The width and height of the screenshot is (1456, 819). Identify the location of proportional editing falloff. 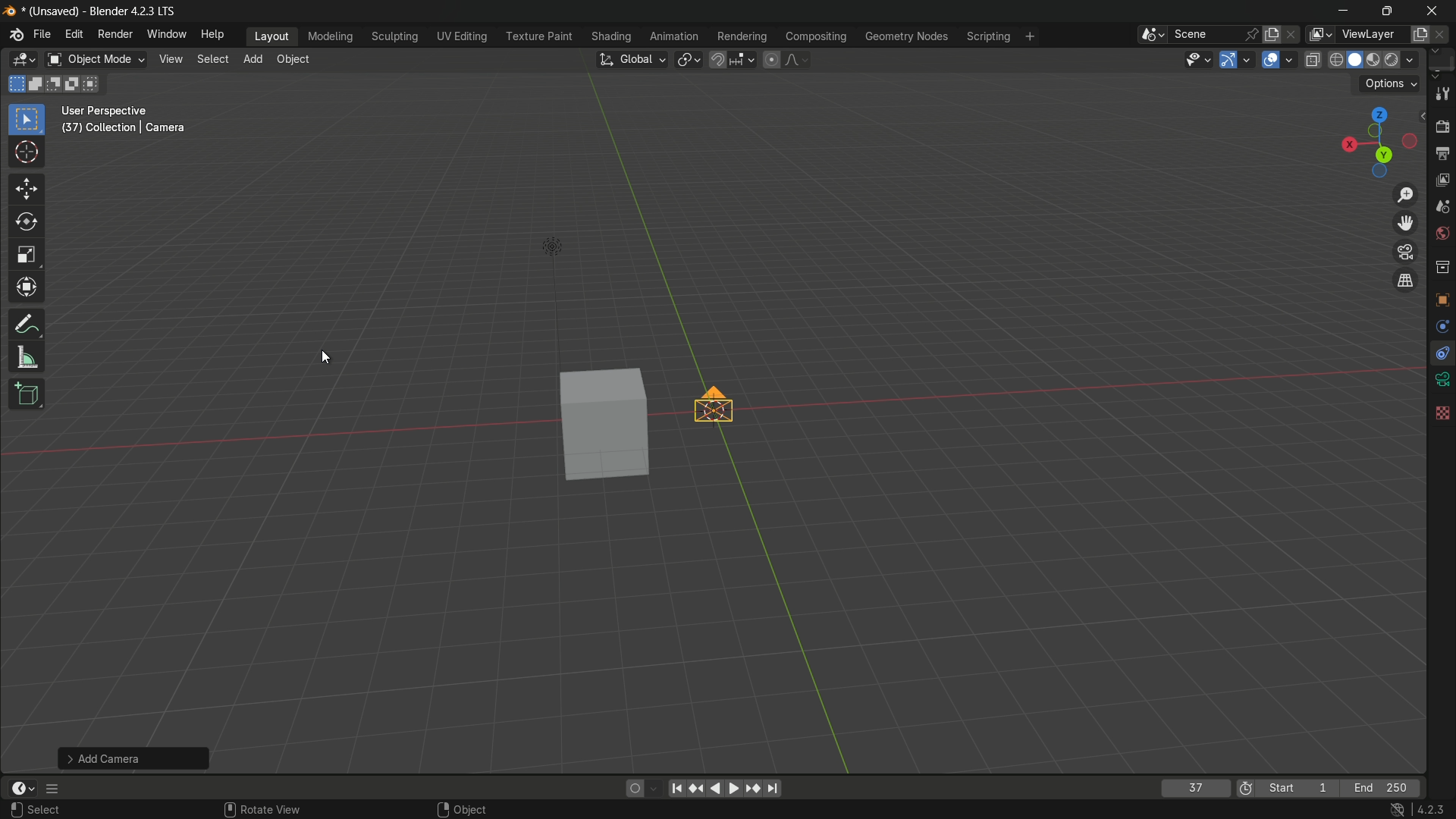
(796, 60).